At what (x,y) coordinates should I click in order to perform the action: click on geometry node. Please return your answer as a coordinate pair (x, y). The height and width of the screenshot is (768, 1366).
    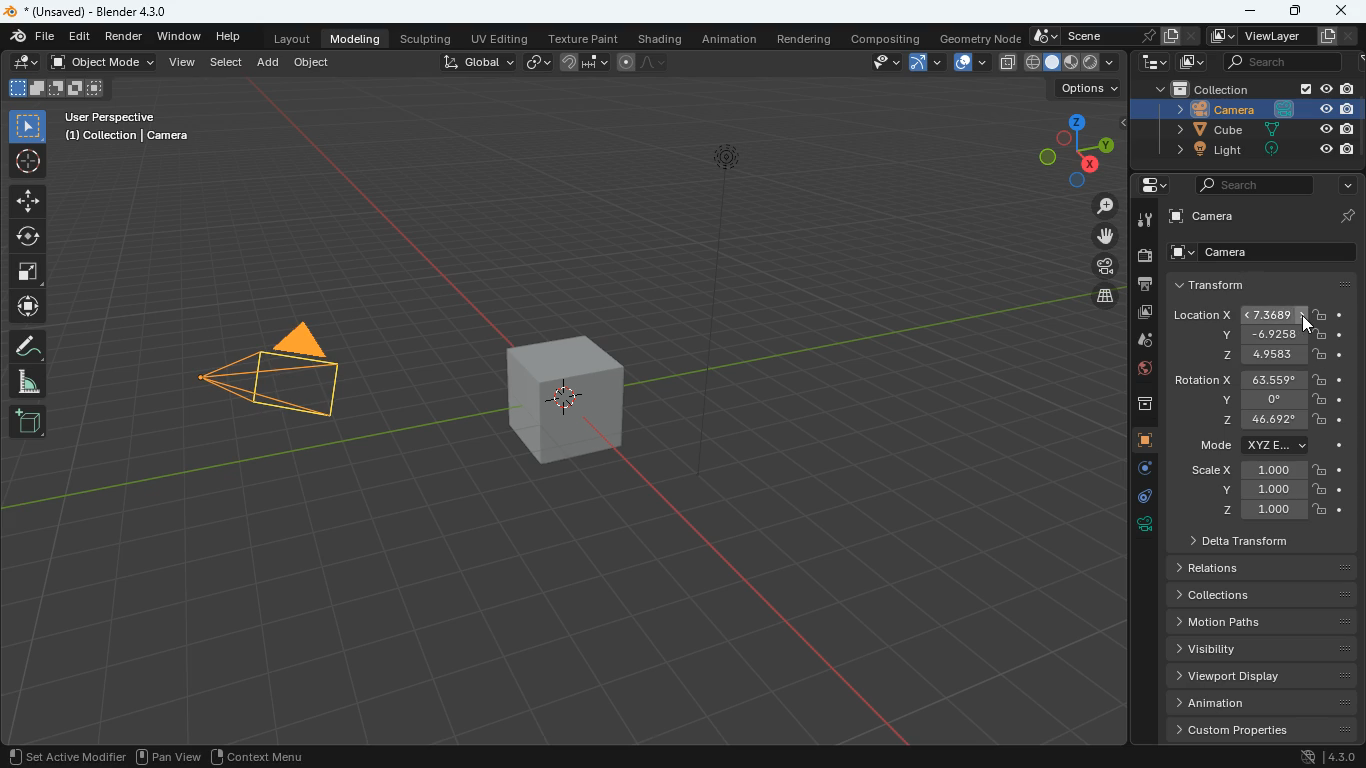
    Looking at the image, I should click on (981, 37).